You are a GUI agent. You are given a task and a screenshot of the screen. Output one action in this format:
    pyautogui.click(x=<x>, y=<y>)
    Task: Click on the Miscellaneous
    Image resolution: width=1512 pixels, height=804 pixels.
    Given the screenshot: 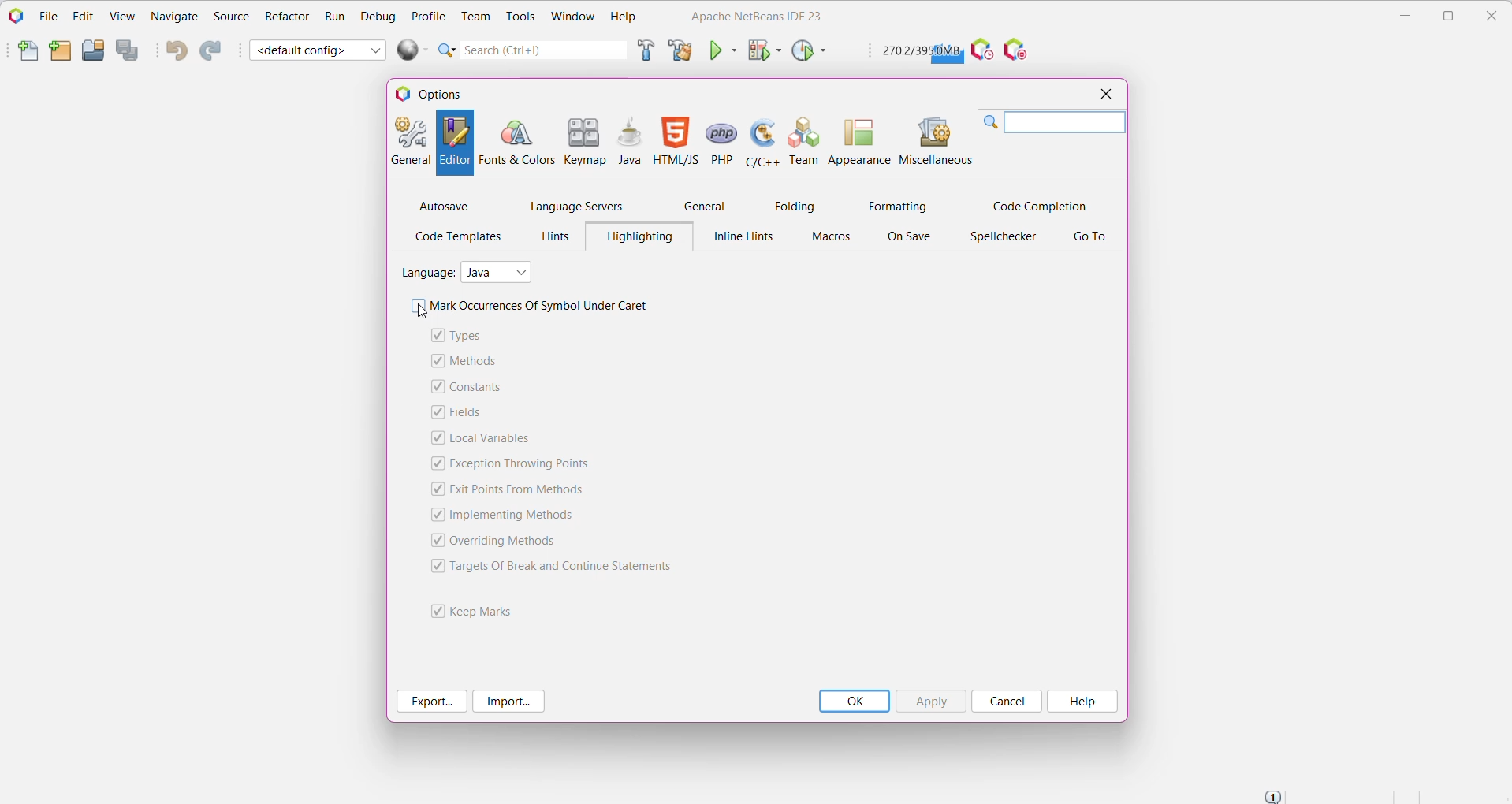 What is the action you would take?
    pyautogui.click(x=934, y=141)
    